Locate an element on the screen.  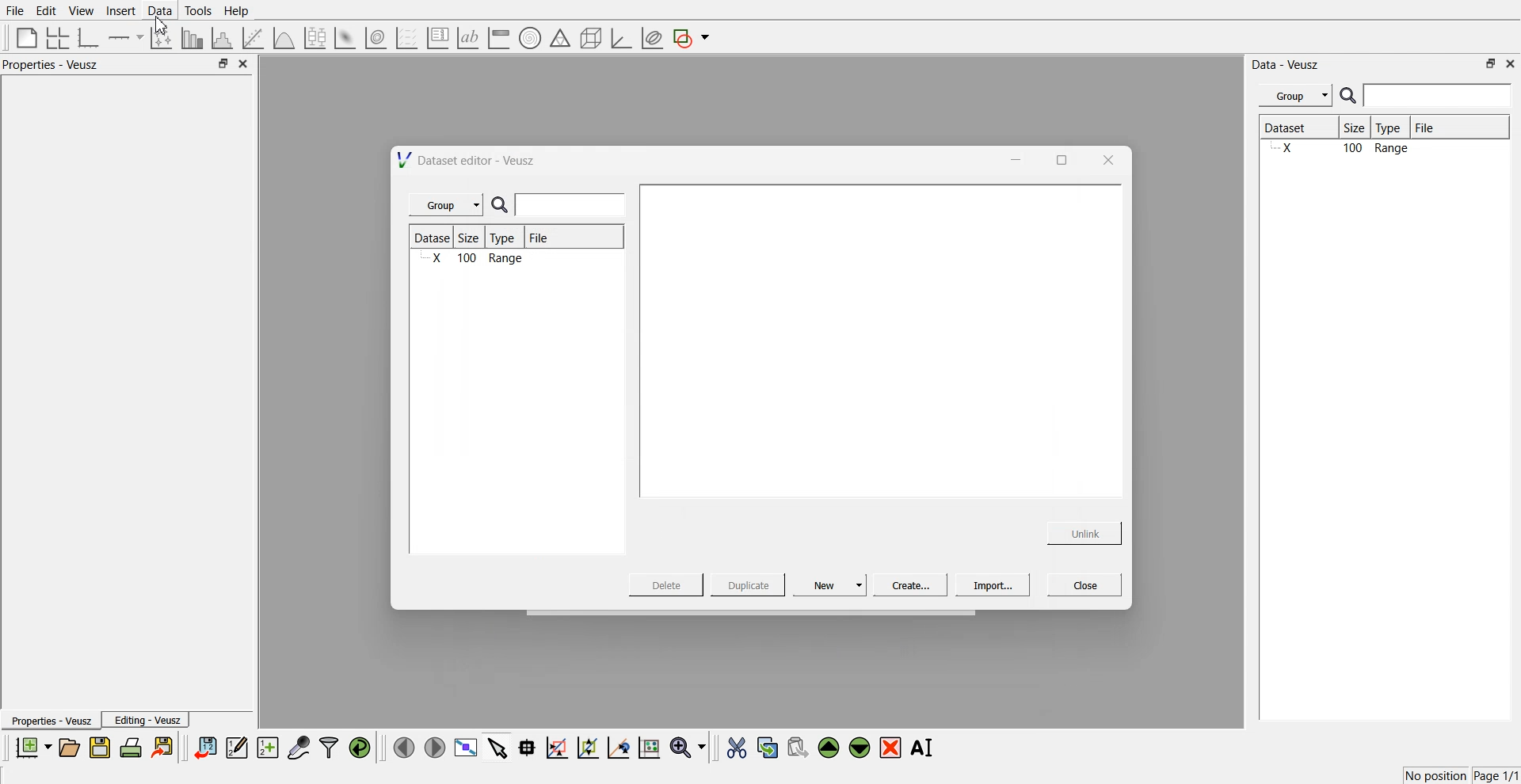
cursor is located at coordinates (160, 25).